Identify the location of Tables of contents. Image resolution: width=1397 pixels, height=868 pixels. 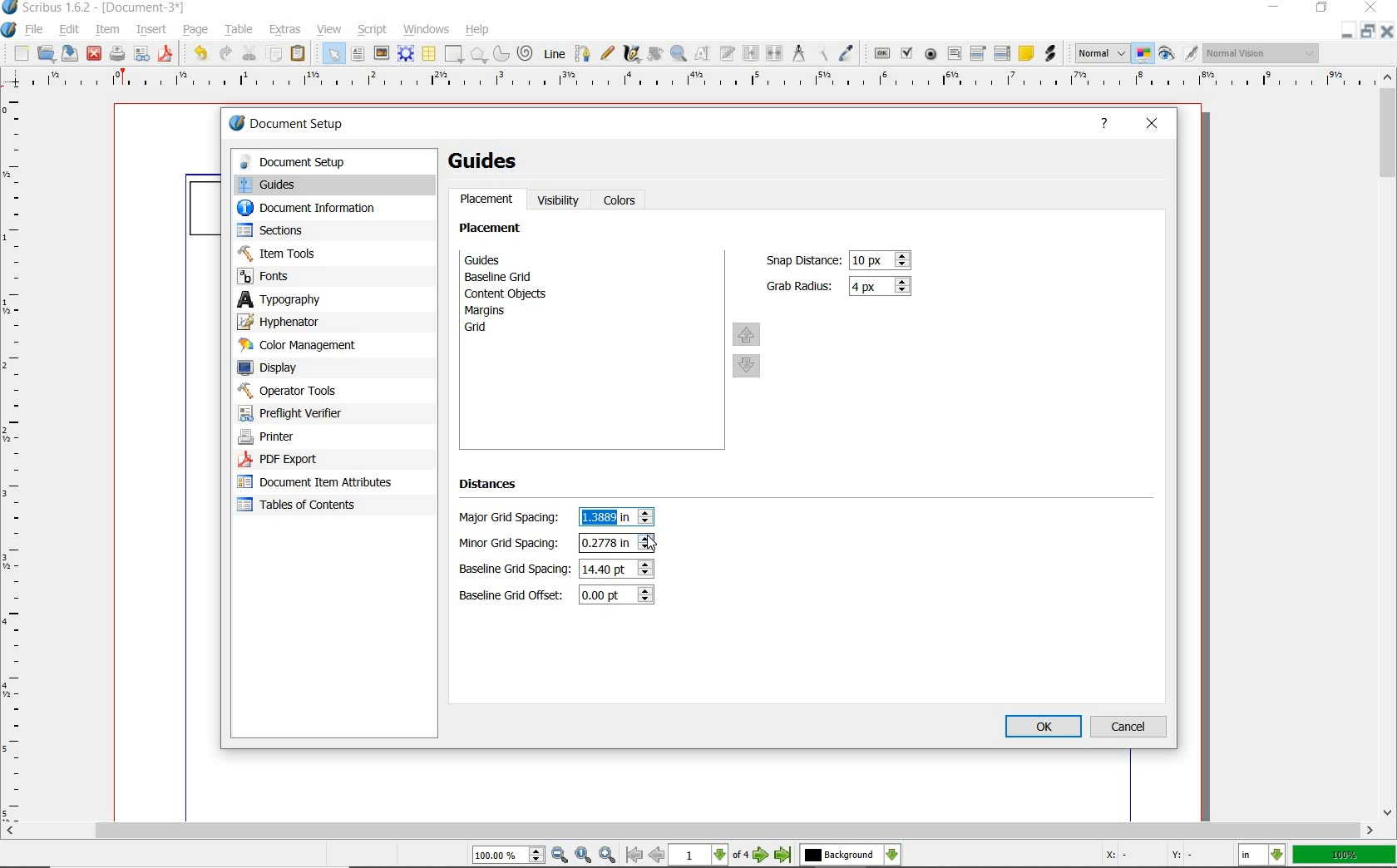
(305, 506).